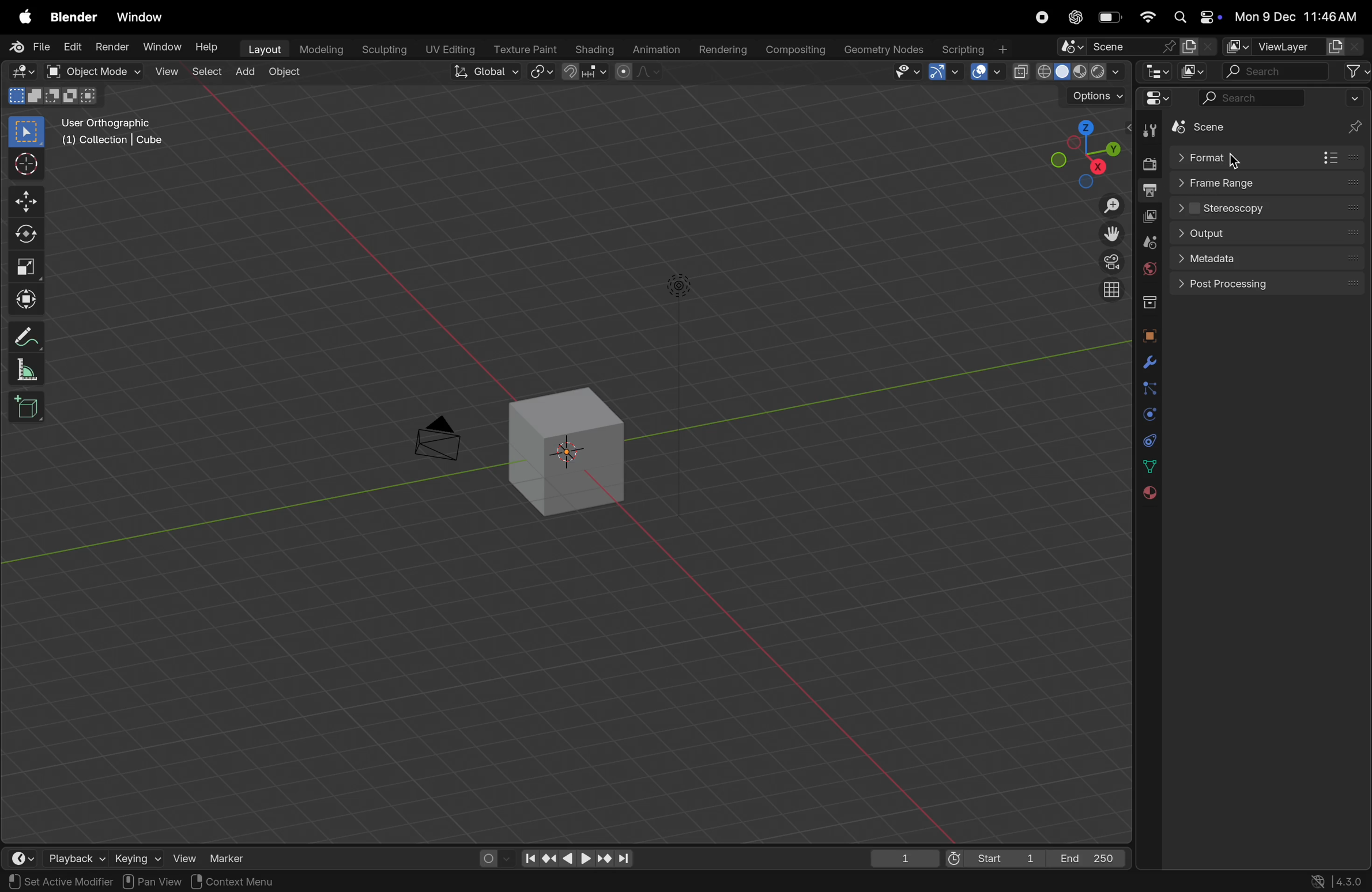 The width and height of the screenshot is (1372, 892). Describe the element at coordinates (22, 201) in the screenshot. I see `move` at that location.